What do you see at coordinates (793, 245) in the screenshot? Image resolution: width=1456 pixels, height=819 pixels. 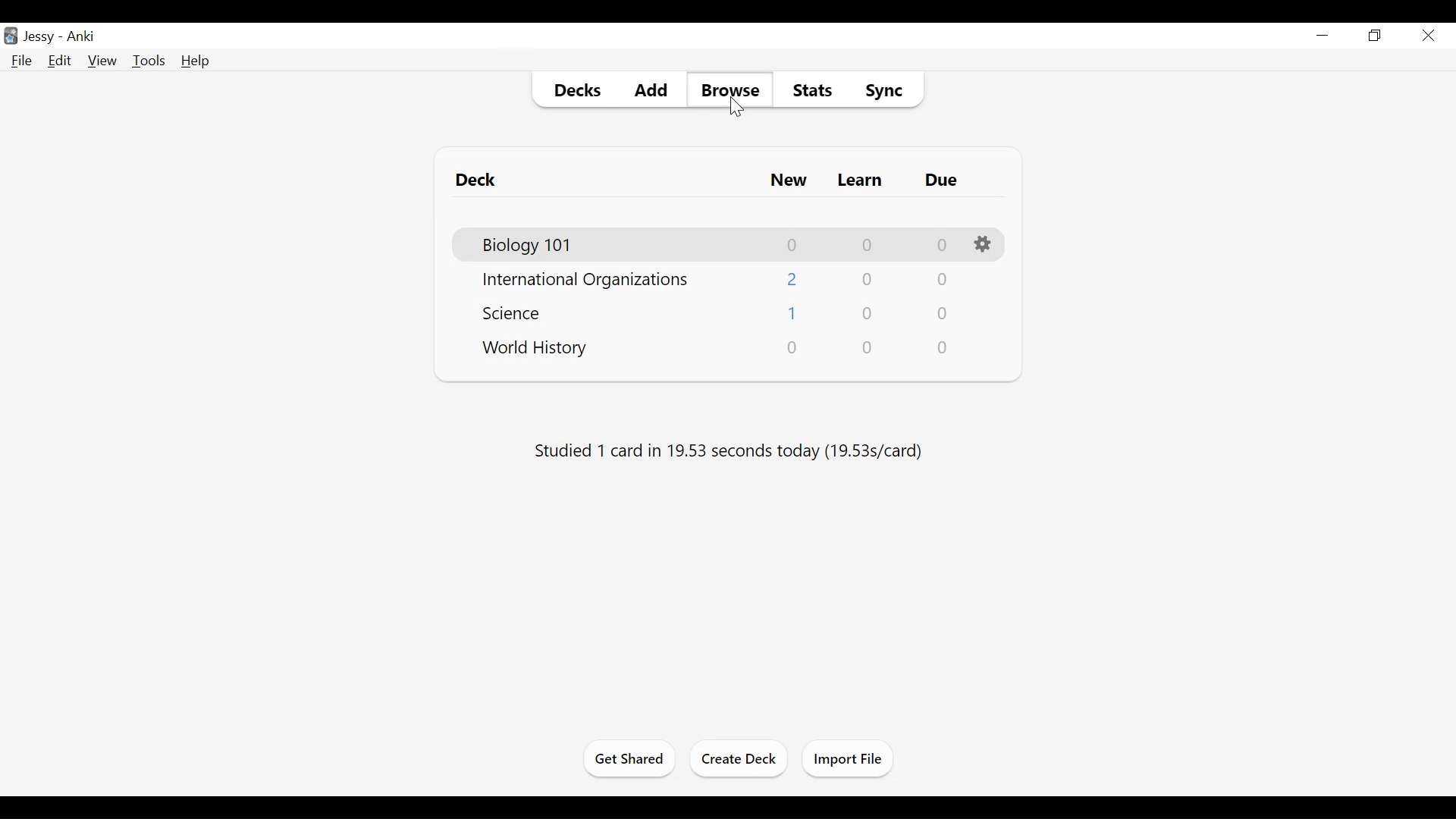 I see `New Card Count` at bounding box center [793, 245].